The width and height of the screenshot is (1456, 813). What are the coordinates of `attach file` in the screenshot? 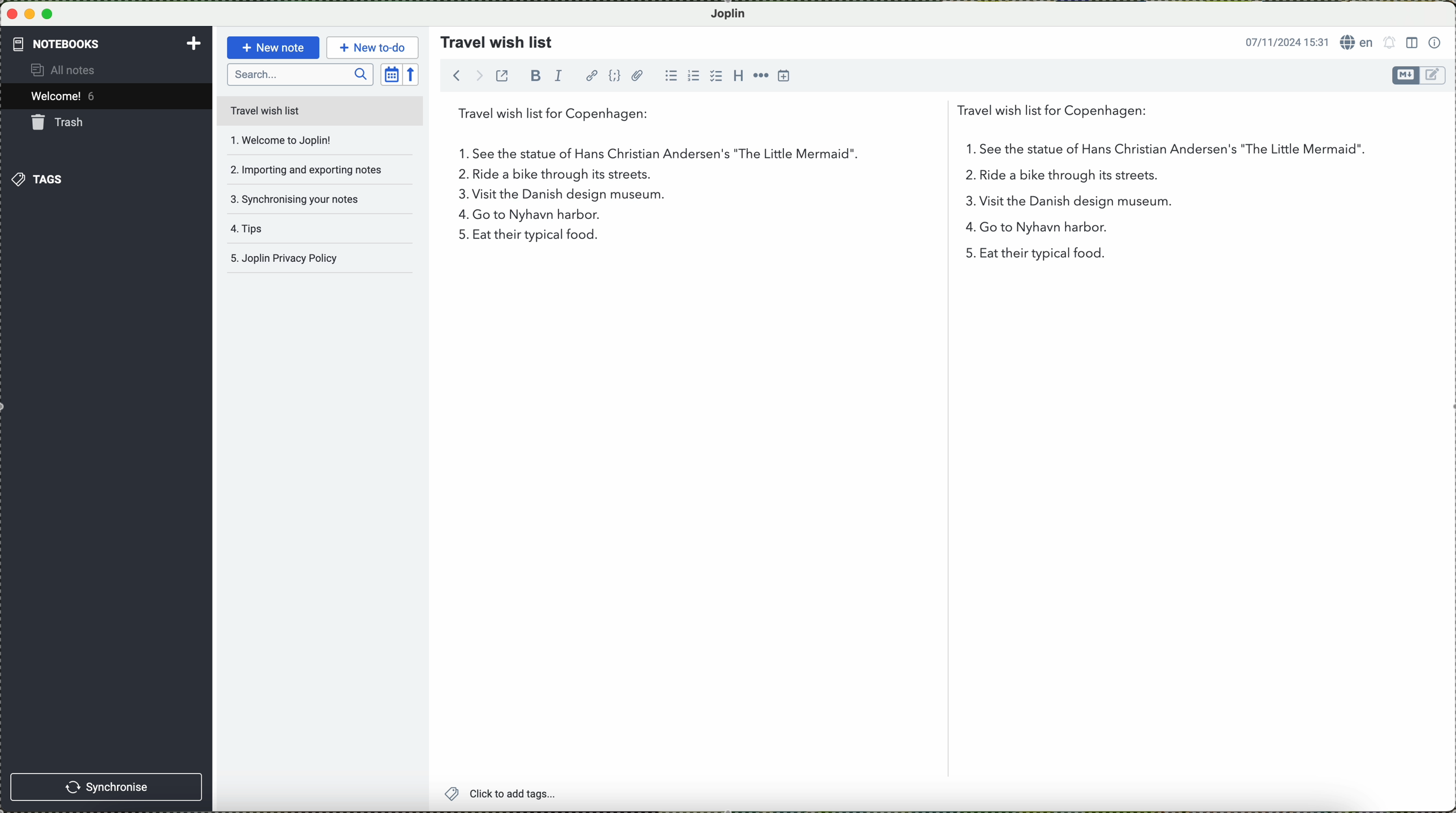 It's located at (638, 75).